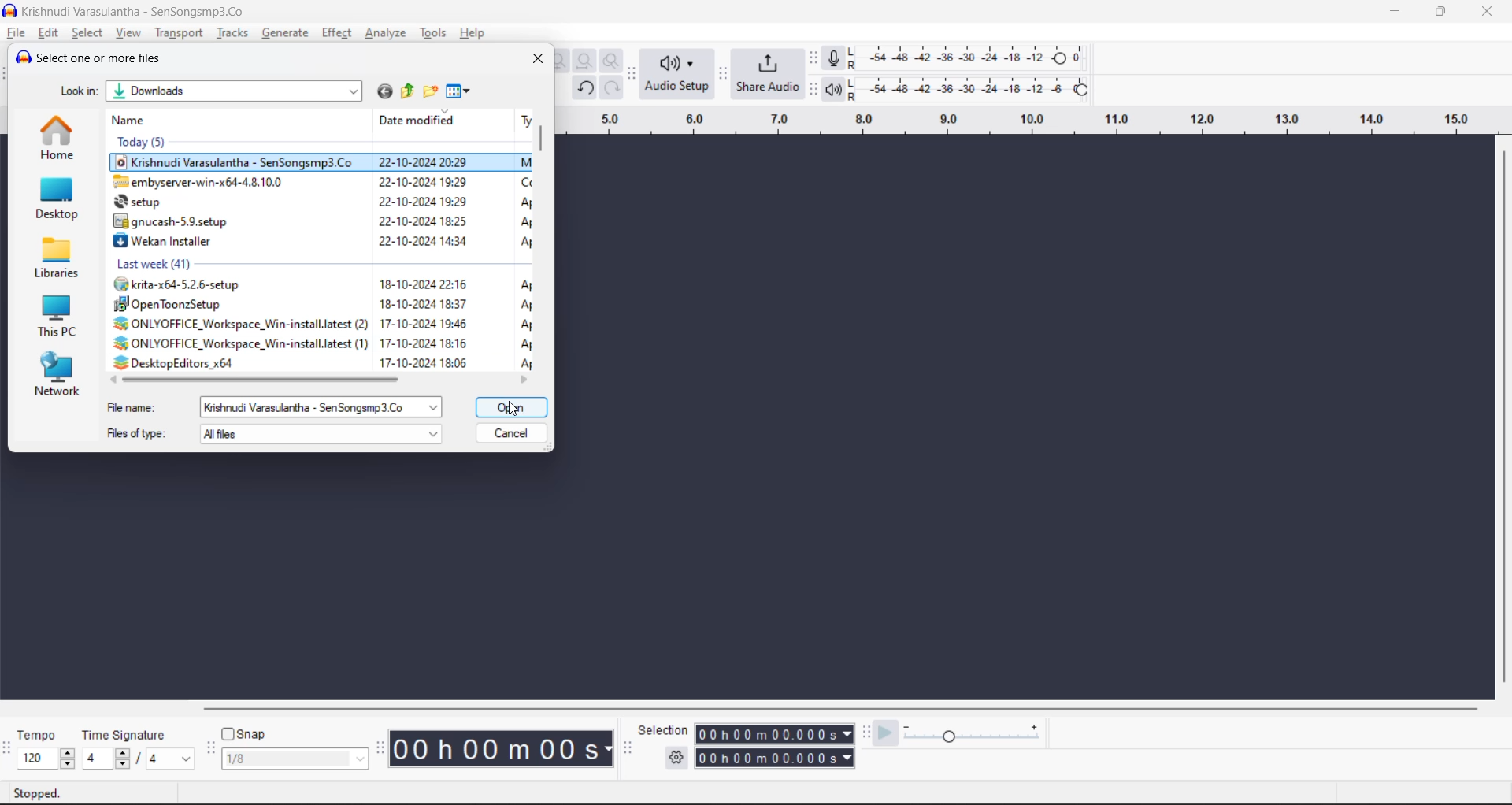 The width and height of the screenshot is (1512, 805). What do you see at coordinates (212, 94) in the screenshot?
I see `location details` at bounding box center [212, 94].